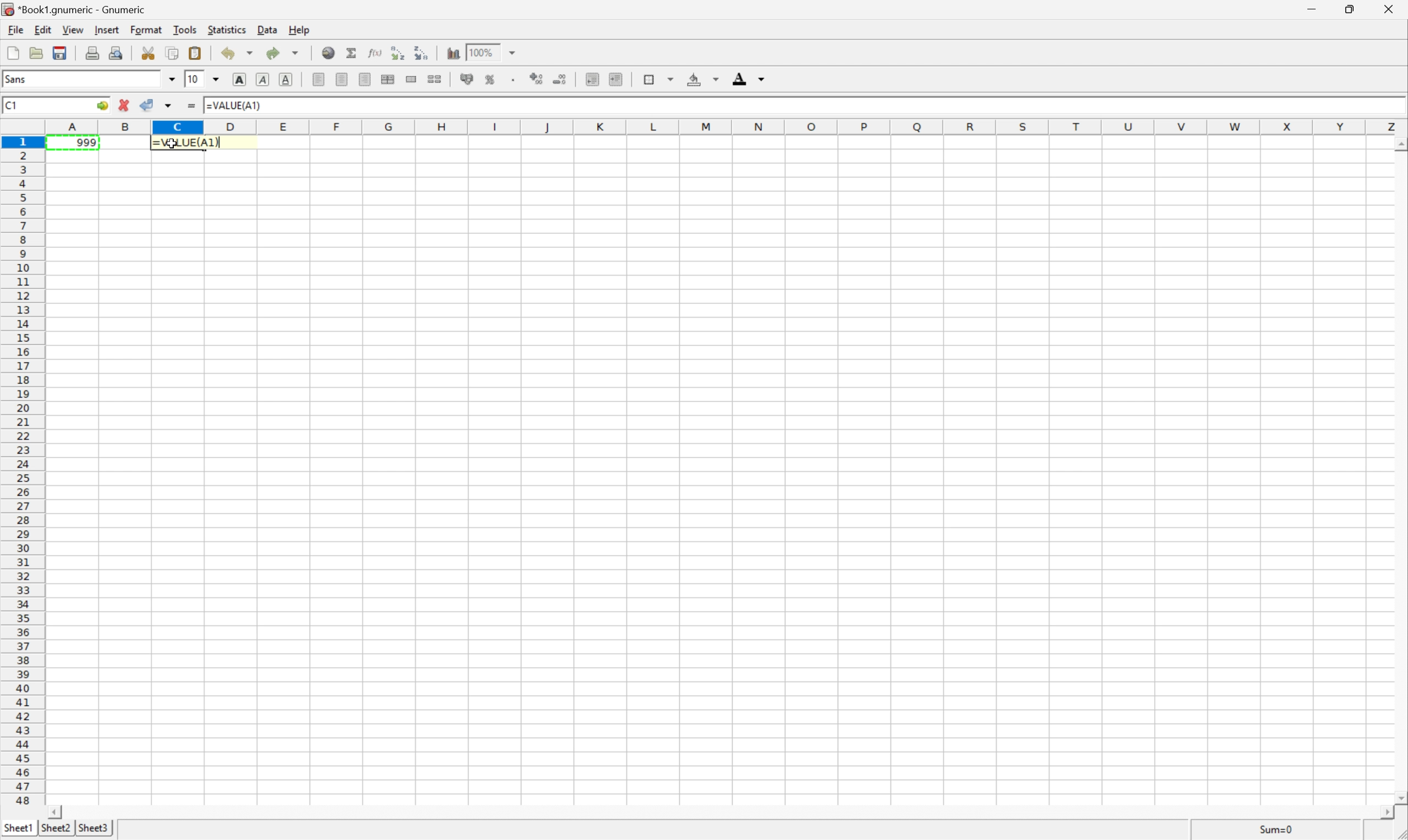 This screenshot has width=1408, height=840. What do you see at coordinates (147, 29) in the screenshot?
I see `format` at bounding box center [147, 29].